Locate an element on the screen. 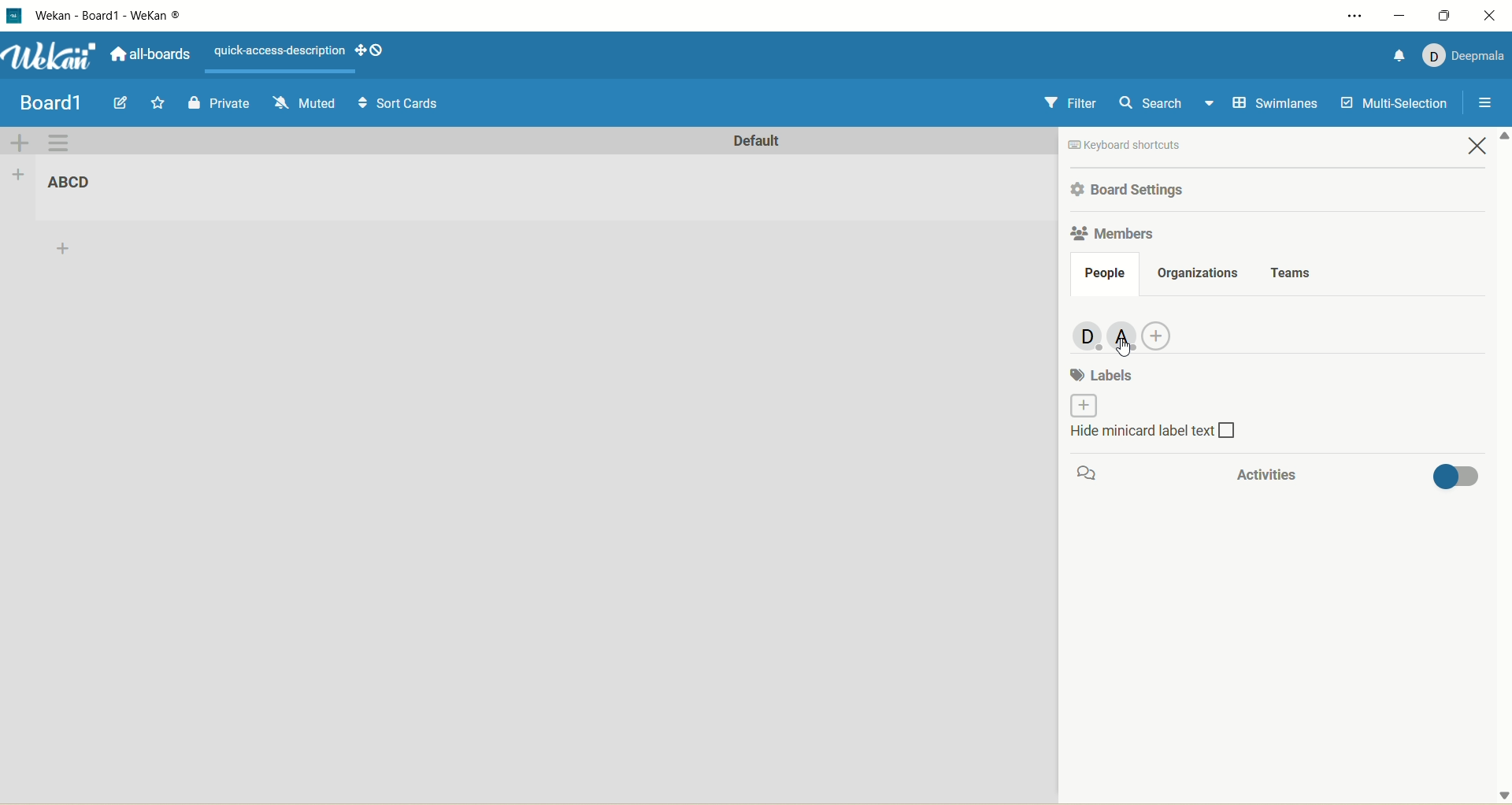 The width and height of the screenshot is (1512, 805). members is located at coordinates (1081, 336).